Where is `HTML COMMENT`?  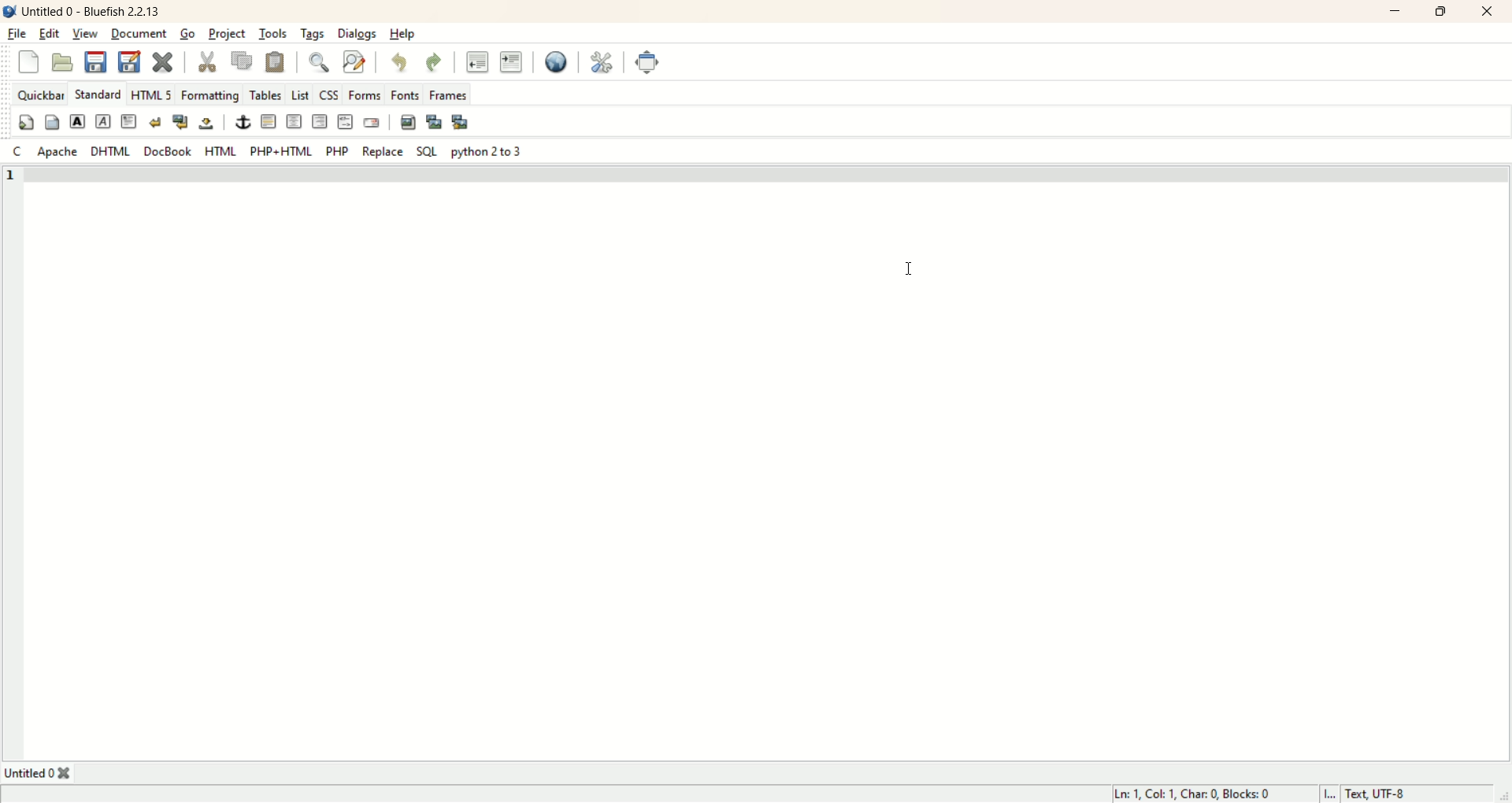 HTML COMMENT is located at coordinates (346, 122).